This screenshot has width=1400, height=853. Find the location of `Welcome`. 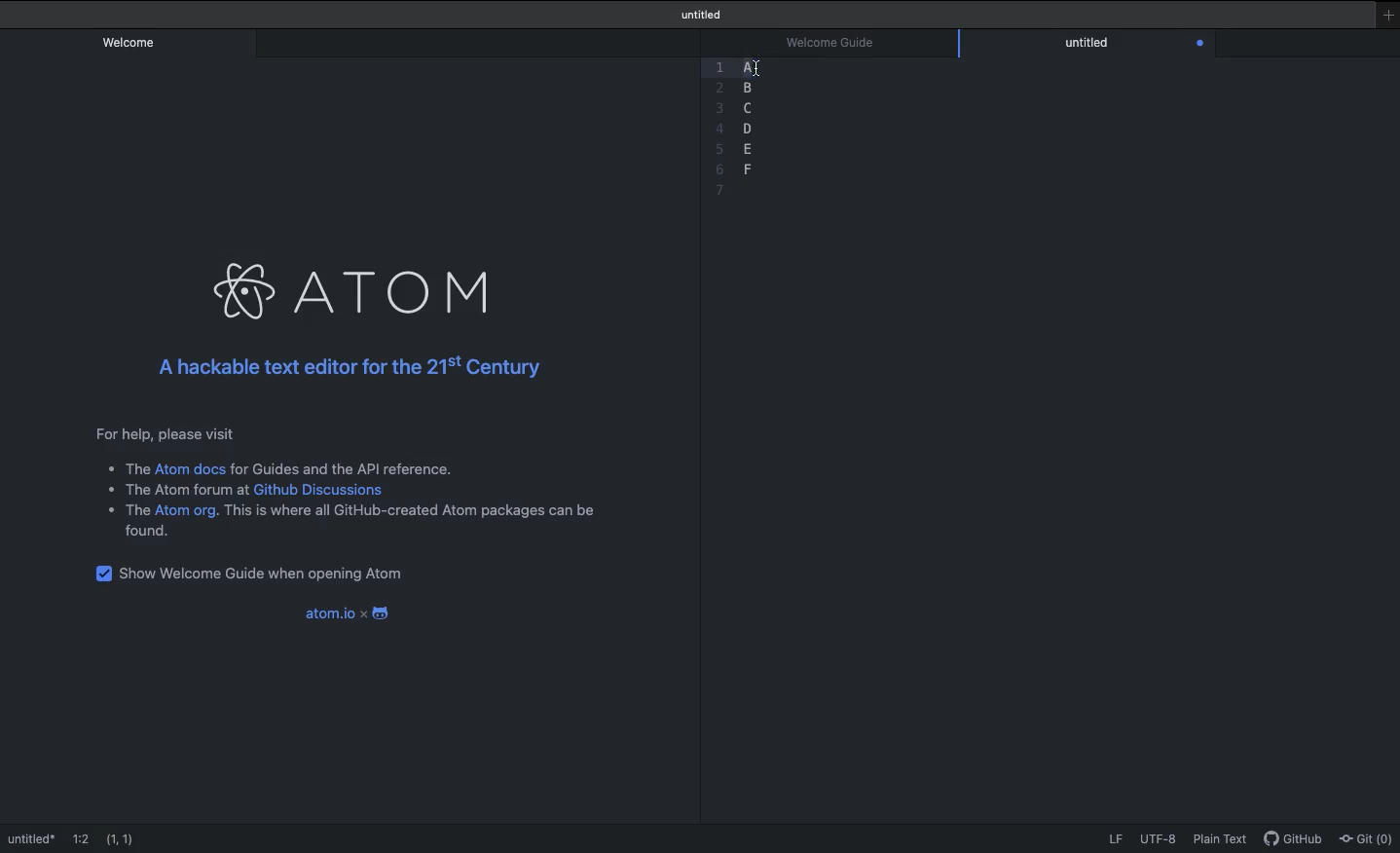

Welcome is located at coordinates (130, 41).